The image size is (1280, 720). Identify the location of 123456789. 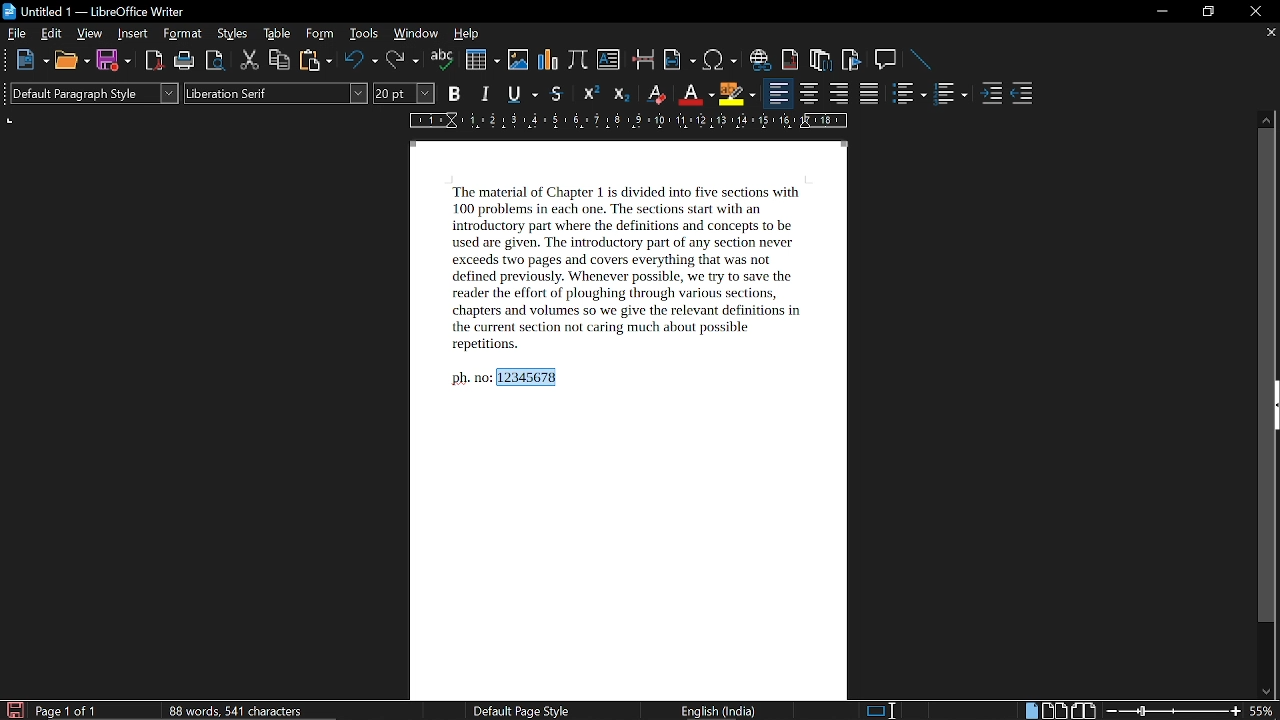
(531, 377).